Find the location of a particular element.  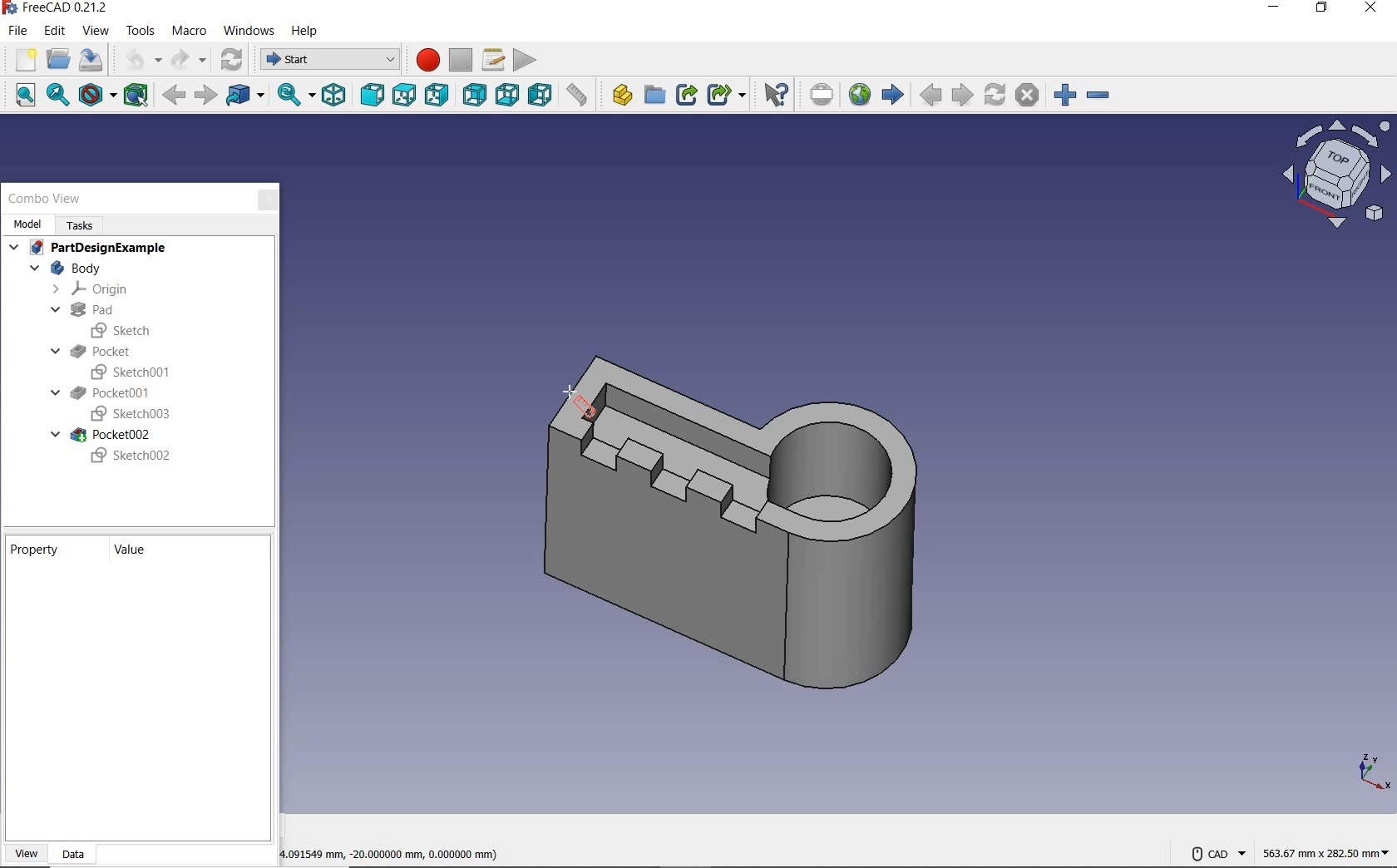

Value is located at coordinates (134, 551).